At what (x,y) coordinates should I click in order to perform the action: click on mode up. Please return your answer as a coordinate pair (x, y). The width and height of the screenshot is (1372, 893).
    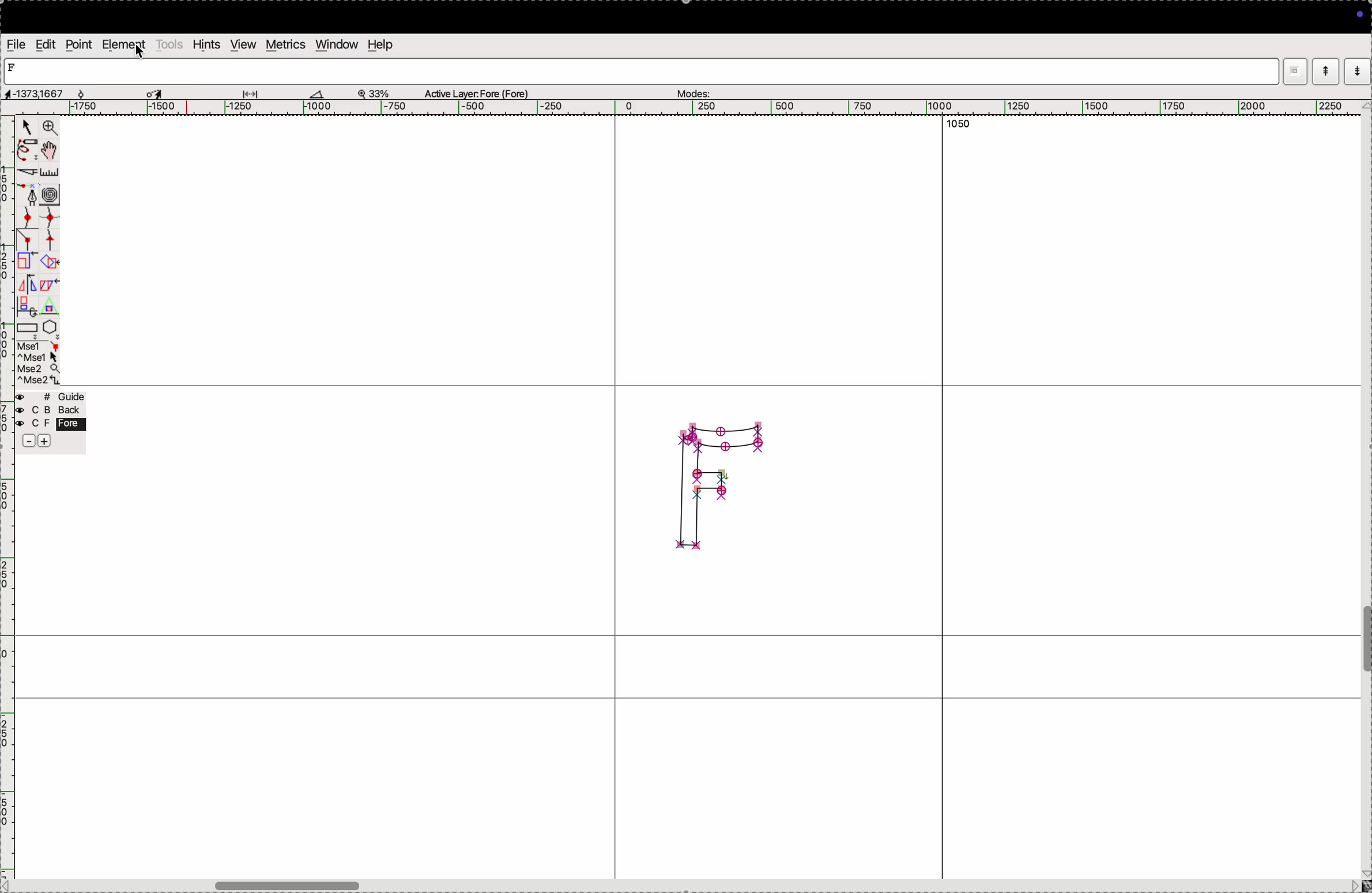
    Looking at the image, I should click on (1324, 71).